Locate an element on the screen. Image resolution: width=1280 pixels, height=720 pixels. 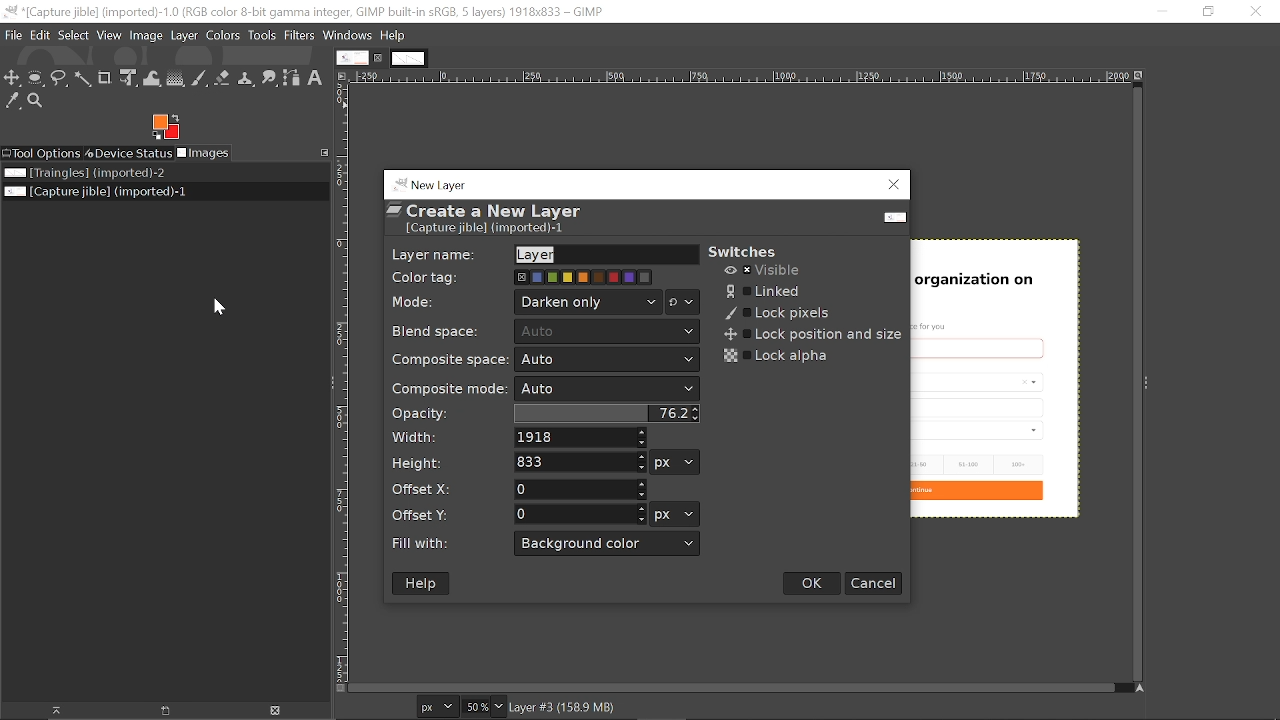
Zoom tool is located at coordinates (39, 102).